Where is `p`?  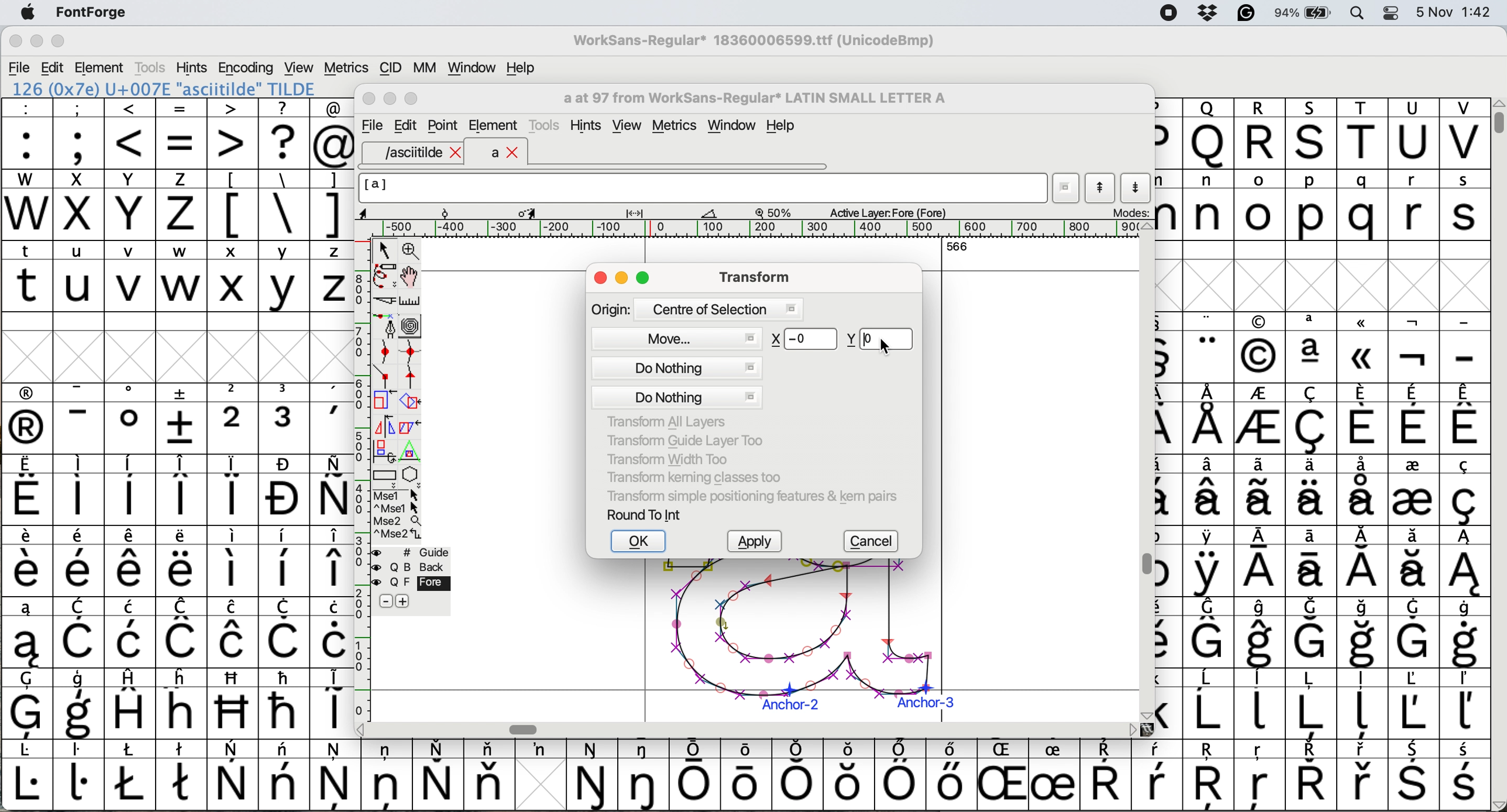 p is located at coordinates (1312, 207).